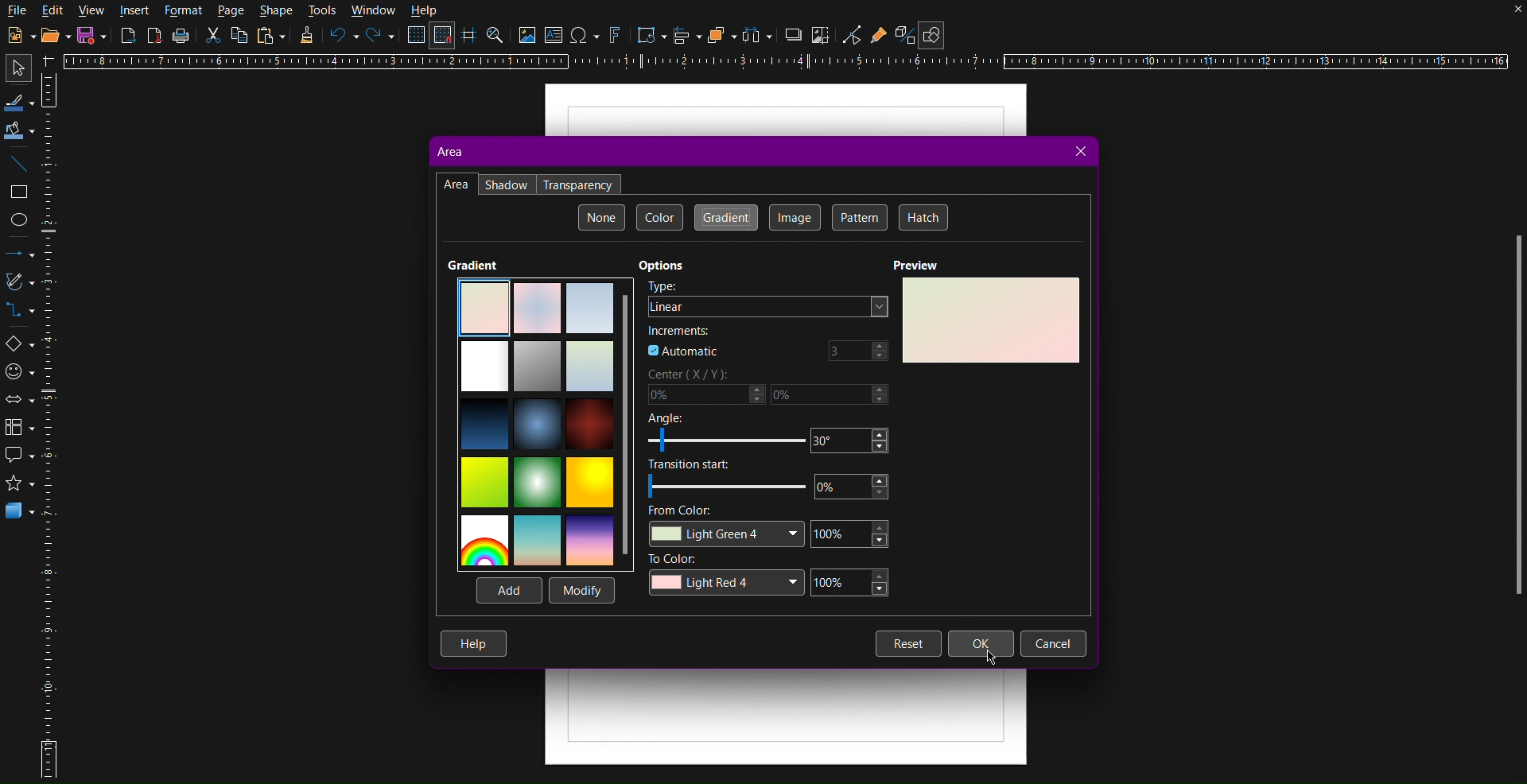 The height and width of the screenshot is (784, 1527). What do you see at coordinates (580, 184) in the screenshot?
I see `Transparency` at bounding box center [580, 184].